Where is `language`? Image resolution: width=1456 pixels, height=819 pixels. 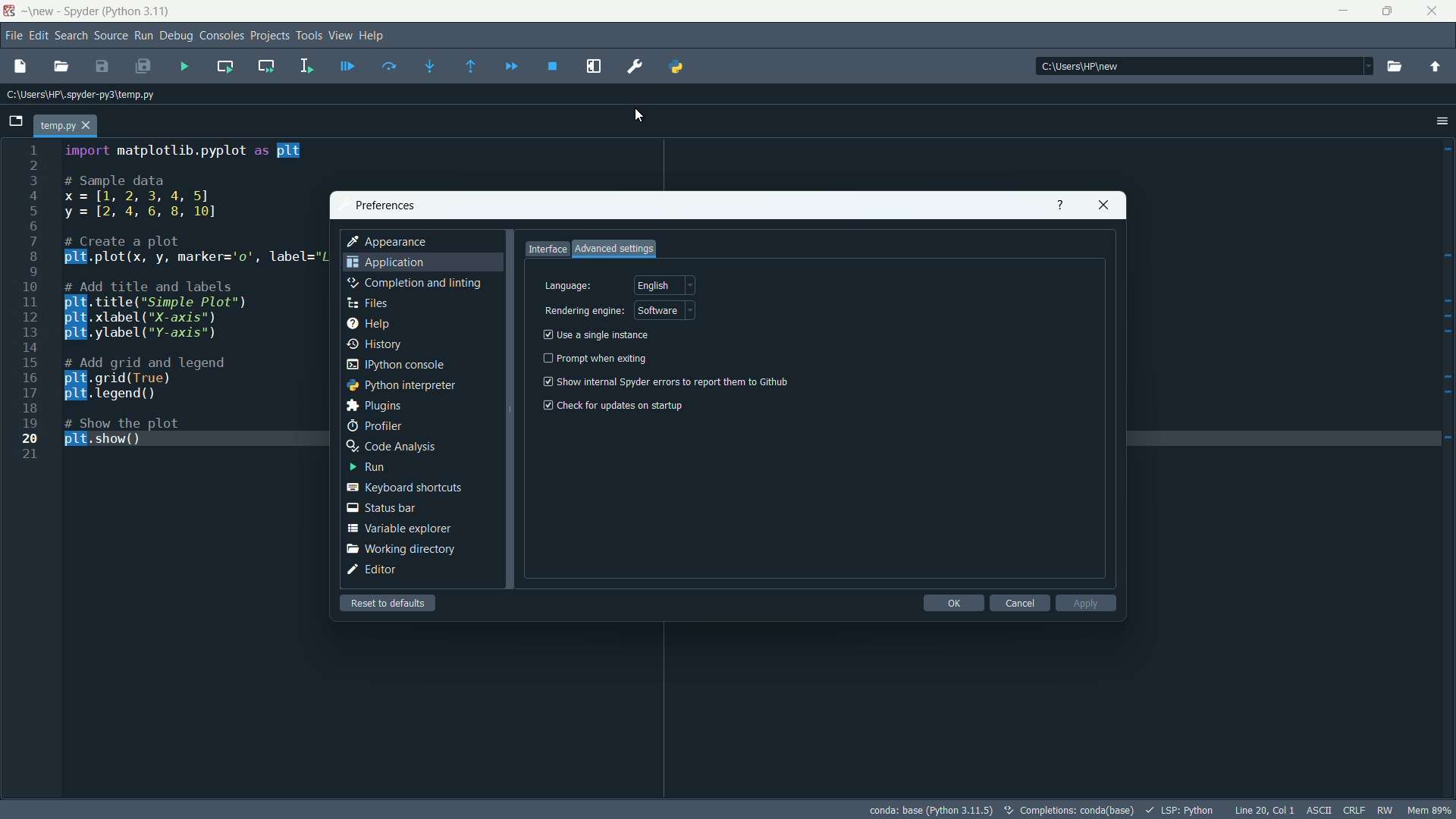
language is located at coordinates (568, 287).